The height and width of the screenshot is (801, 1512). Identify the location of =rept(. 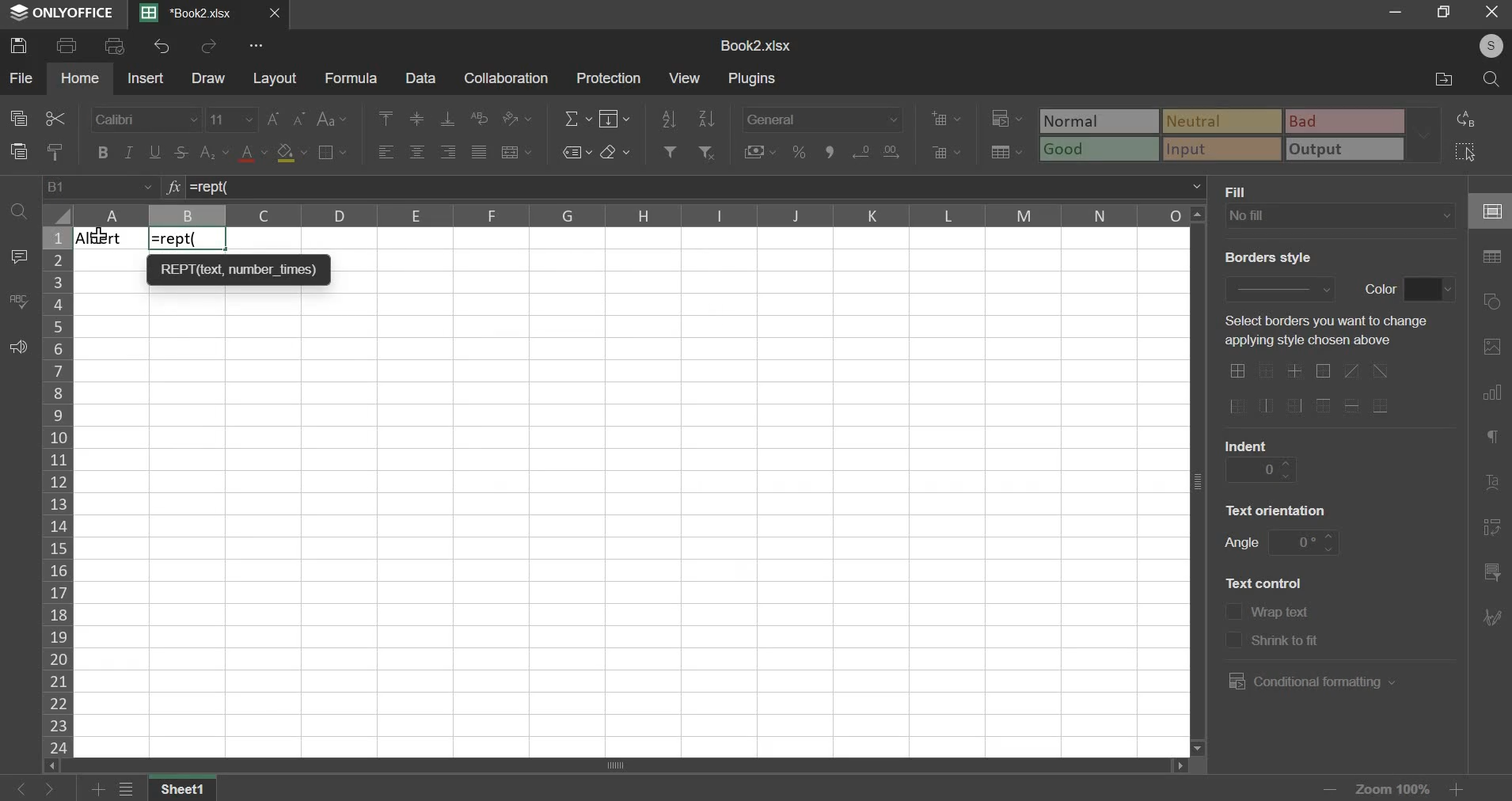
(187, 238).